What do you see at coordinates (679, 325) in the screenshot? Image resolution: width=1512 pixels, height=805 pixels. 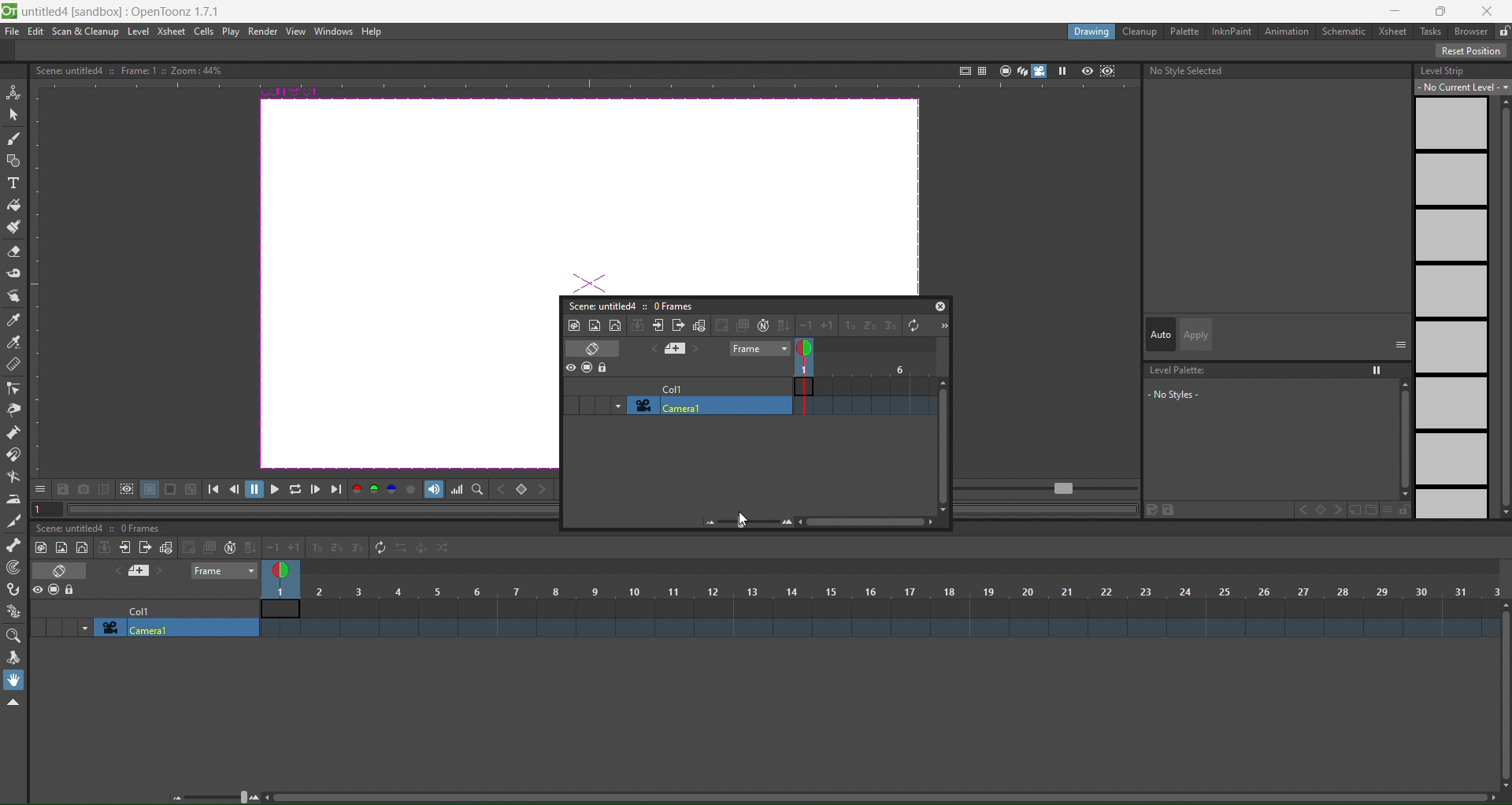 I see `close subsheet` at bounding box center [679, 325].